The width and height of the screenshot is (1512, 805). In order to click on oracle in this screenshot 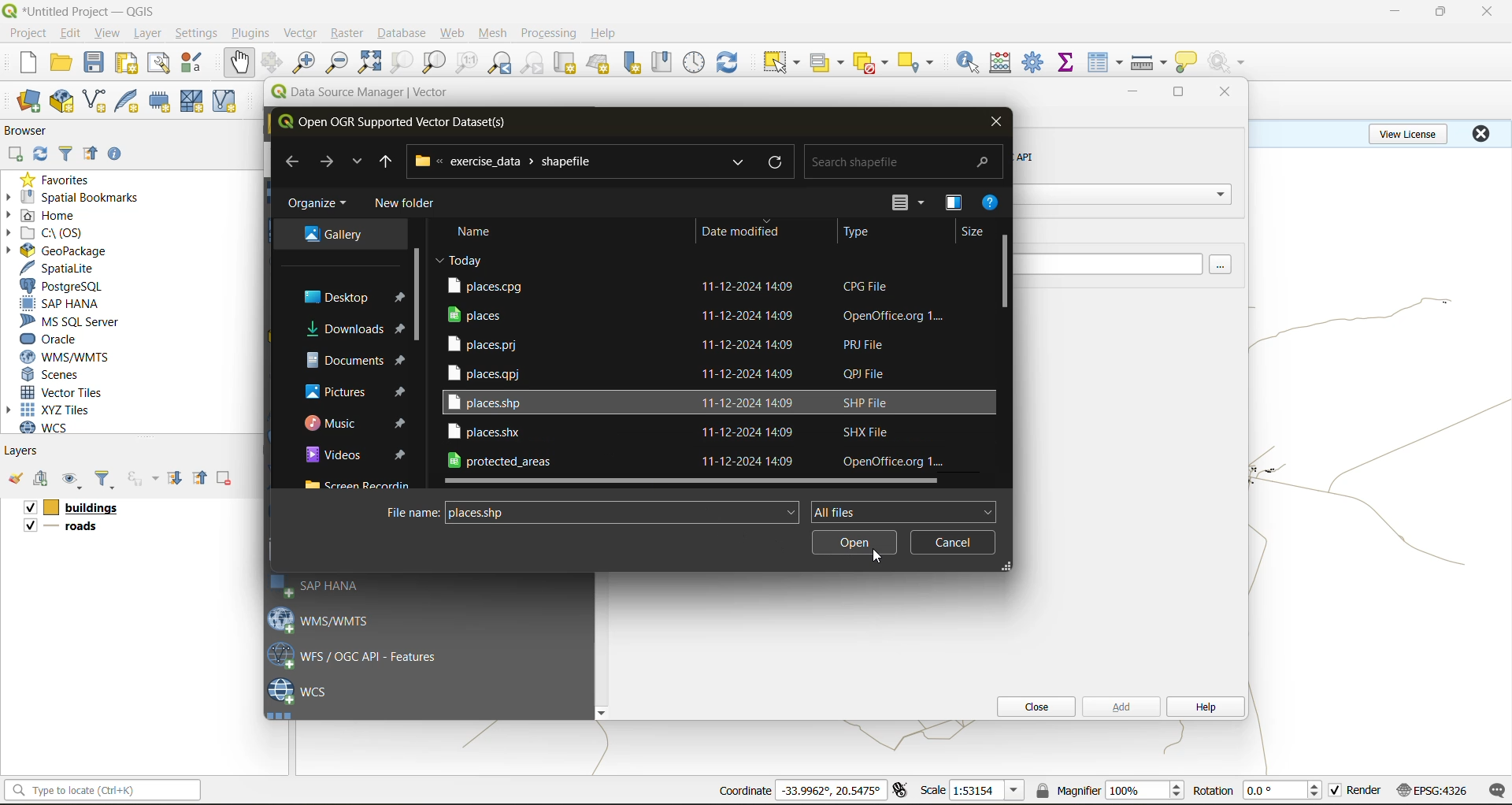, I will do `click(55, 339)`.